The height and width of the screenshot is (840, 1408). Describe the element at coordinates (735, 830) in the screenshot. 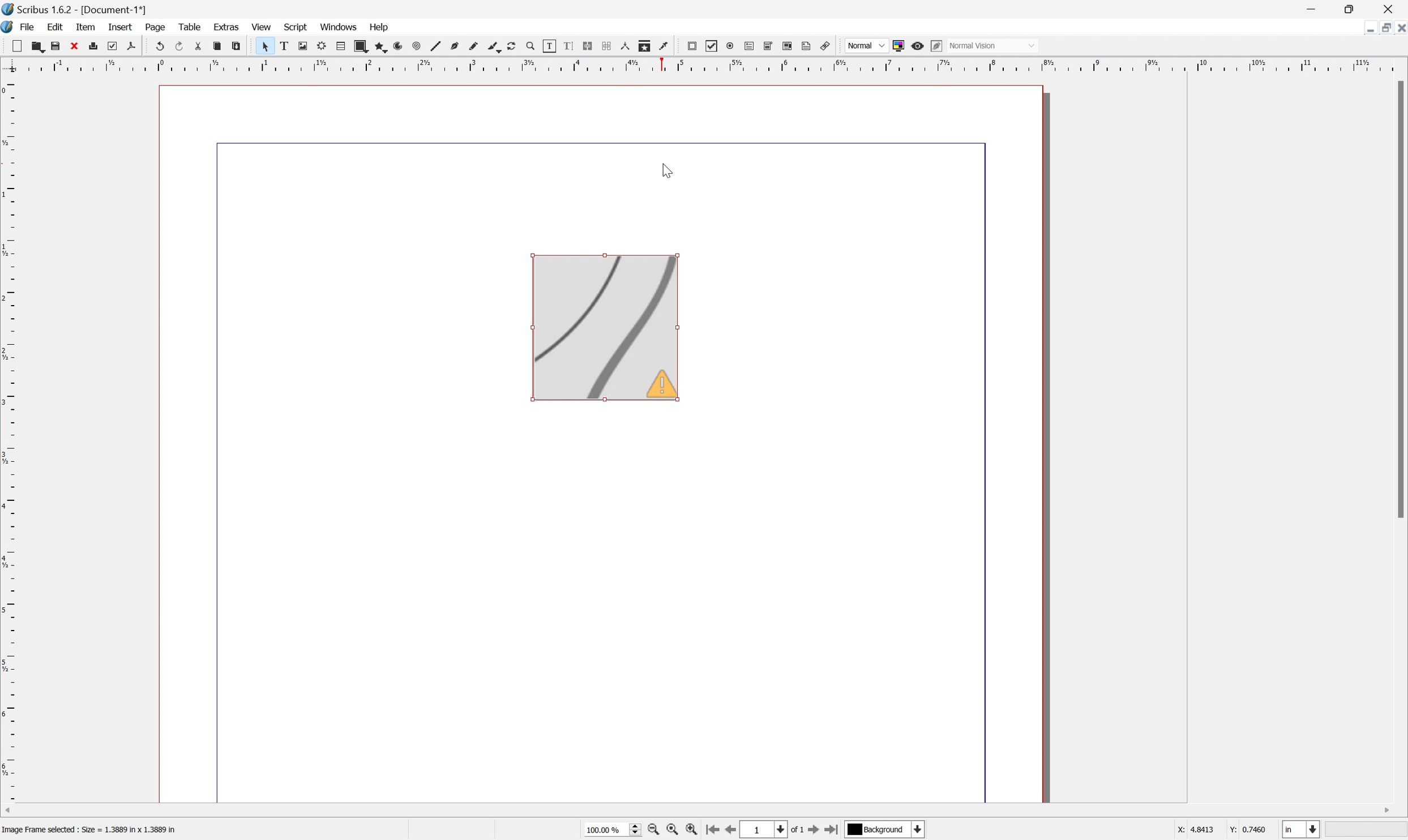

I see `Go to the previous page` at that location.